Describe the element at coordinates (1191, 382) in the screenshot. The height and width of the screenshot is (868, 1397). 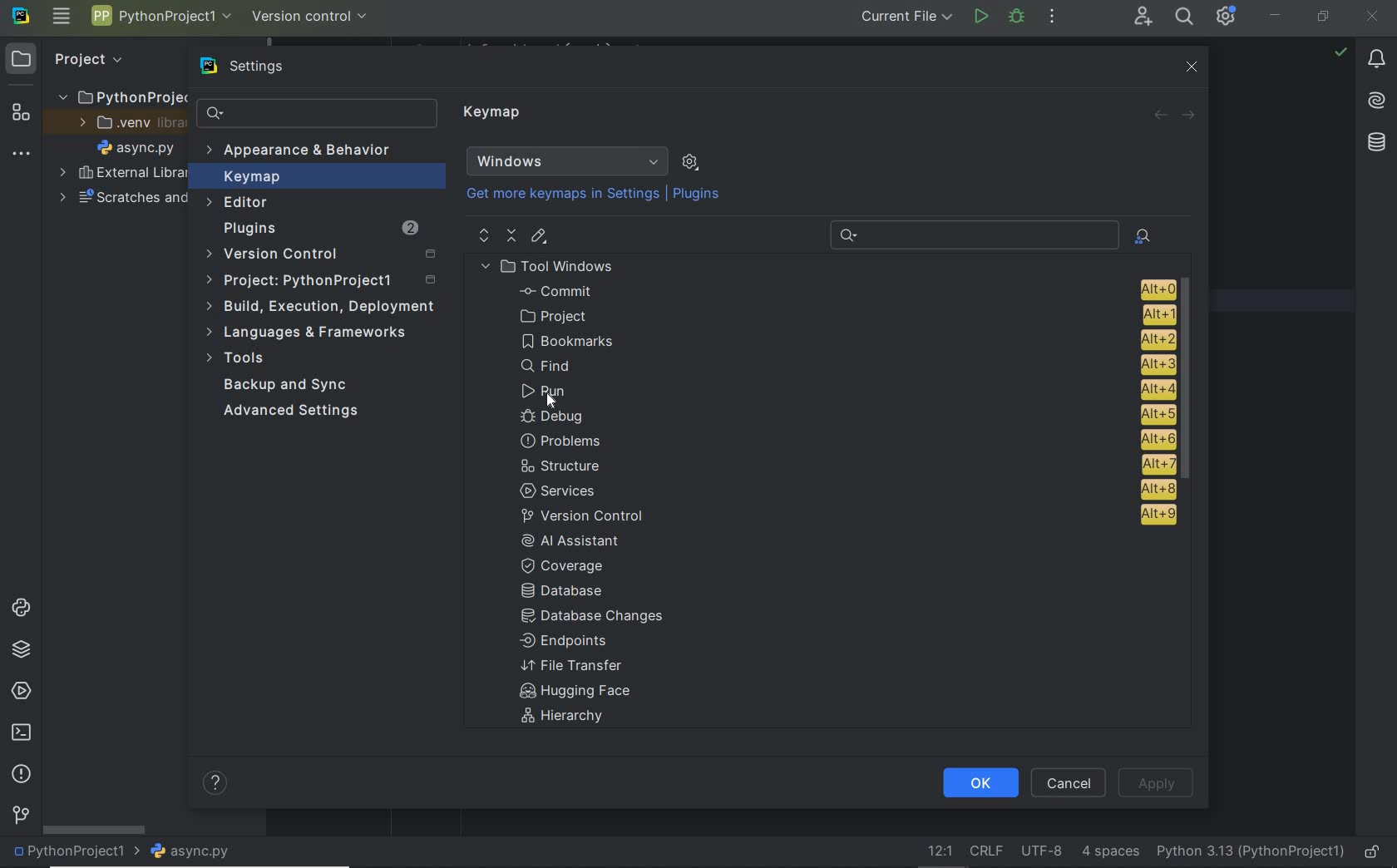
I see `scrollbar` at that location.